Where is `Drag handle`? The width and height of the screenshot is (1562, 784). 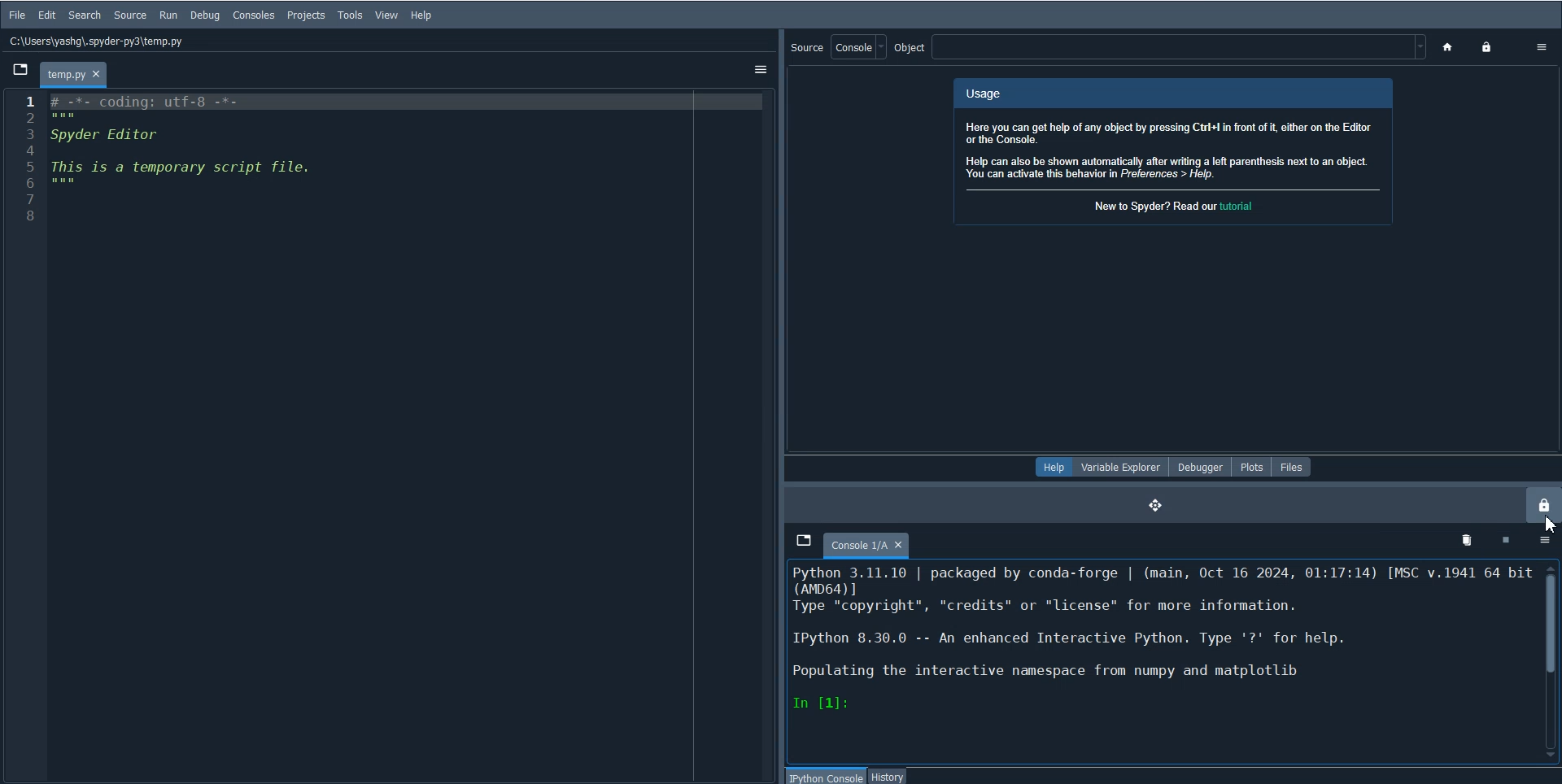 Drag handle is located at coordinates (780, 405).